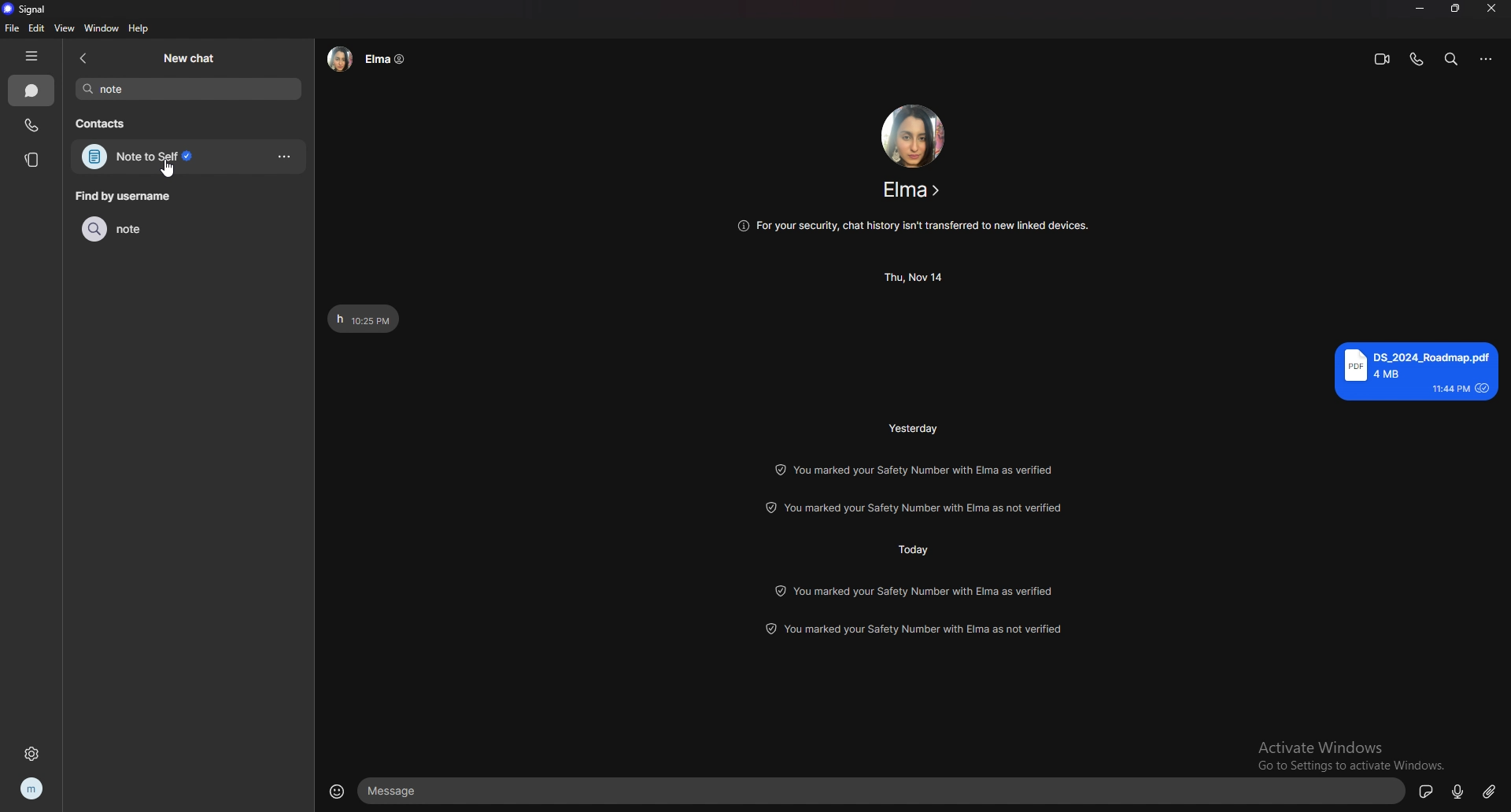  I want to click on attachment, so click(1489, 791).